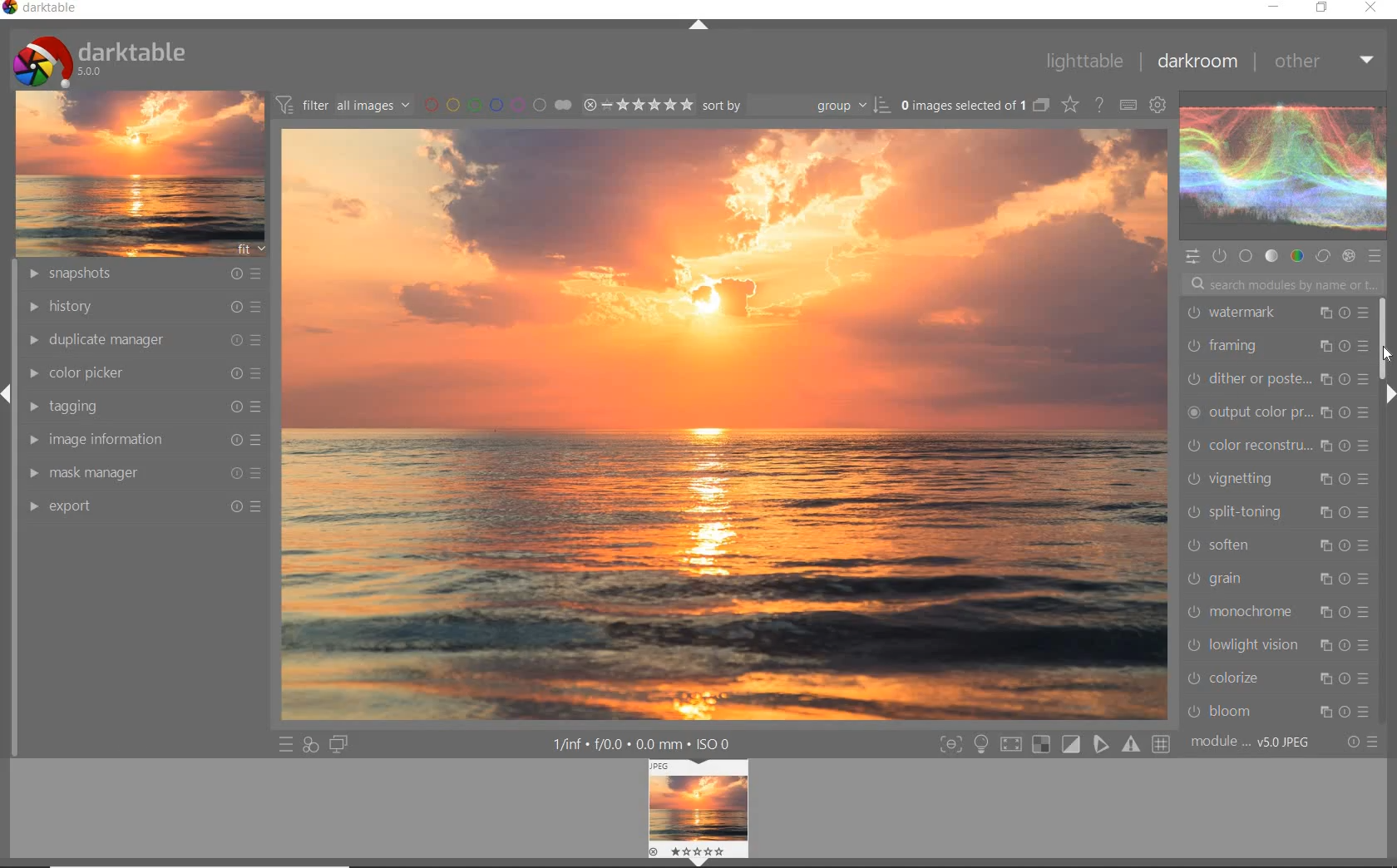 The width and height of the screenshot is (1397, 868). I want to click on darktable, so click(42, 9).